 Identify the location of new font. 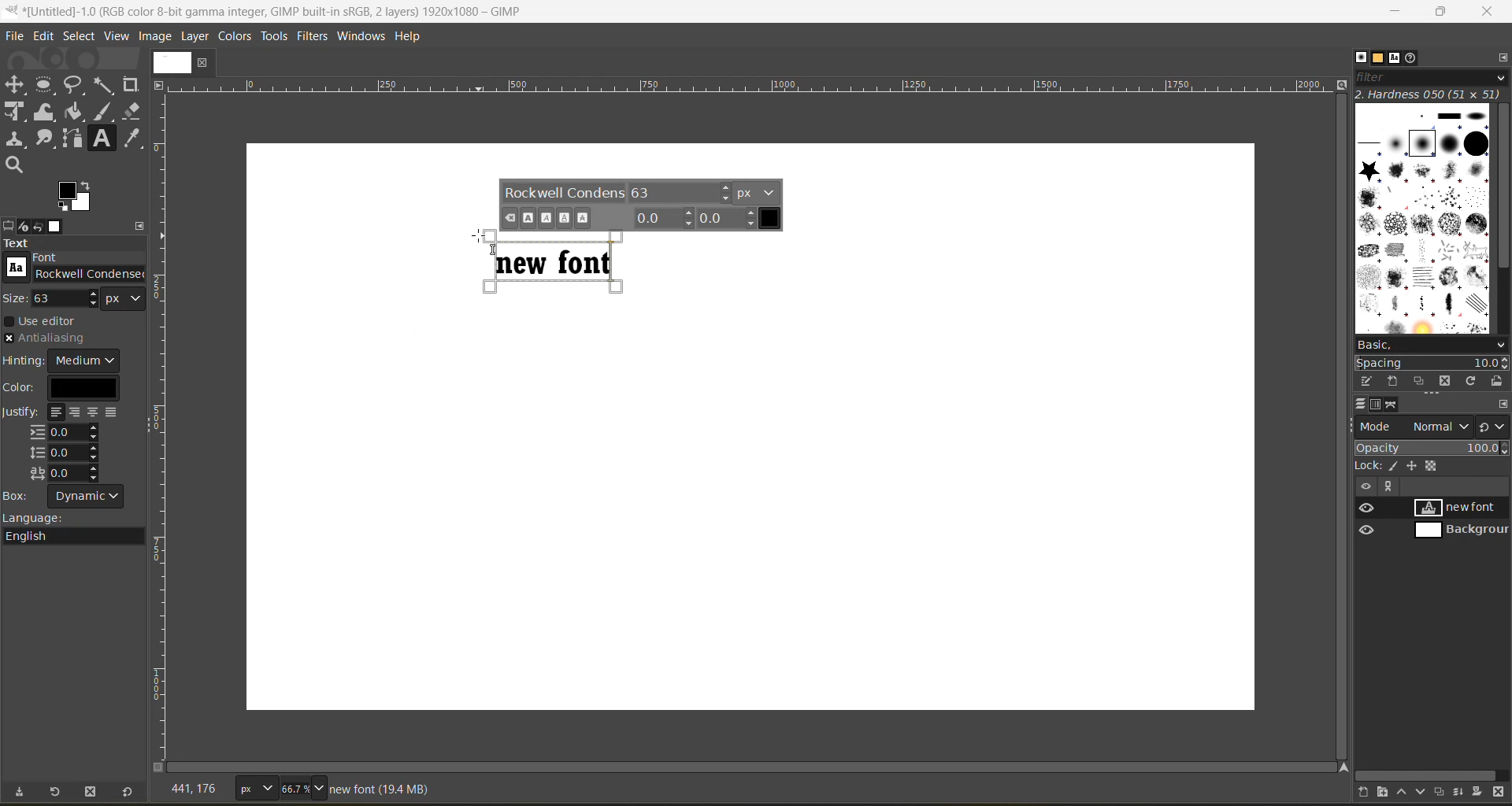
(1464, 509).